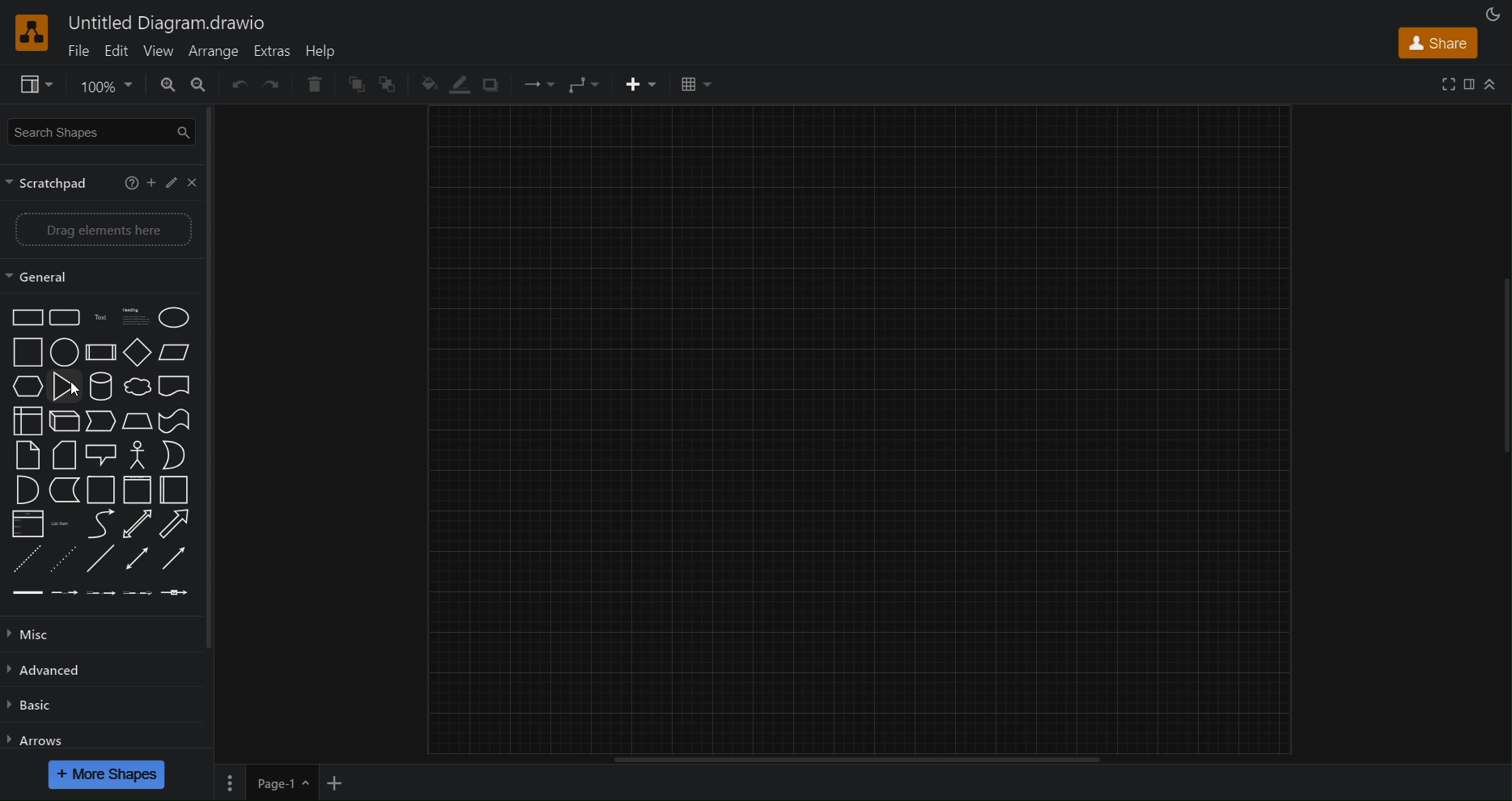  Describe the element at coordinates (312, 83) in the screenshot. I see `Delete` at that location.